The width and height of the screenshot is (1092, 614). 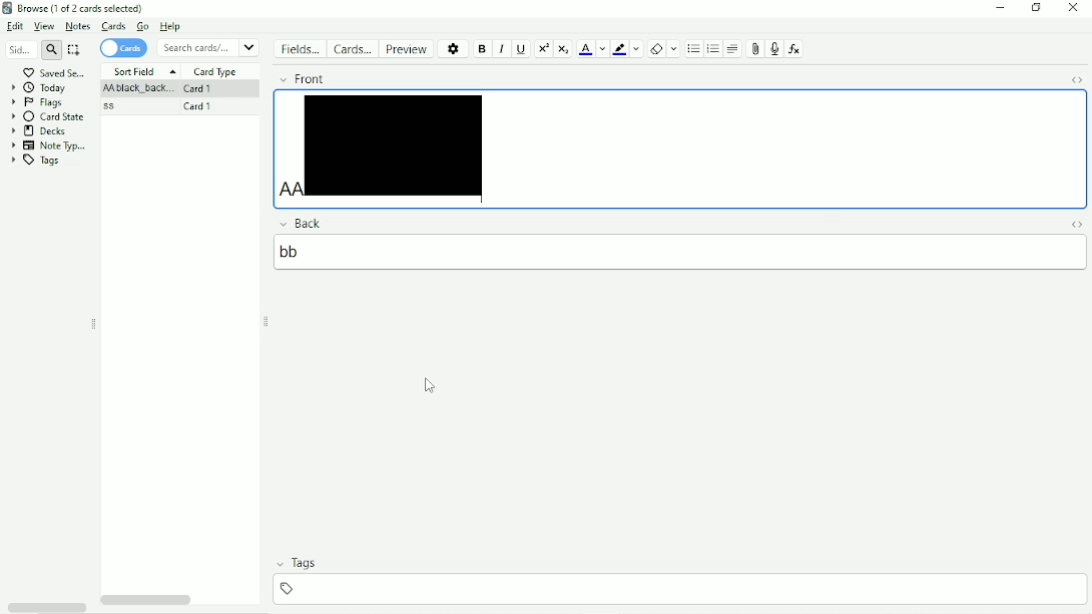 I want to click on Search , so click(x=208, y=48).